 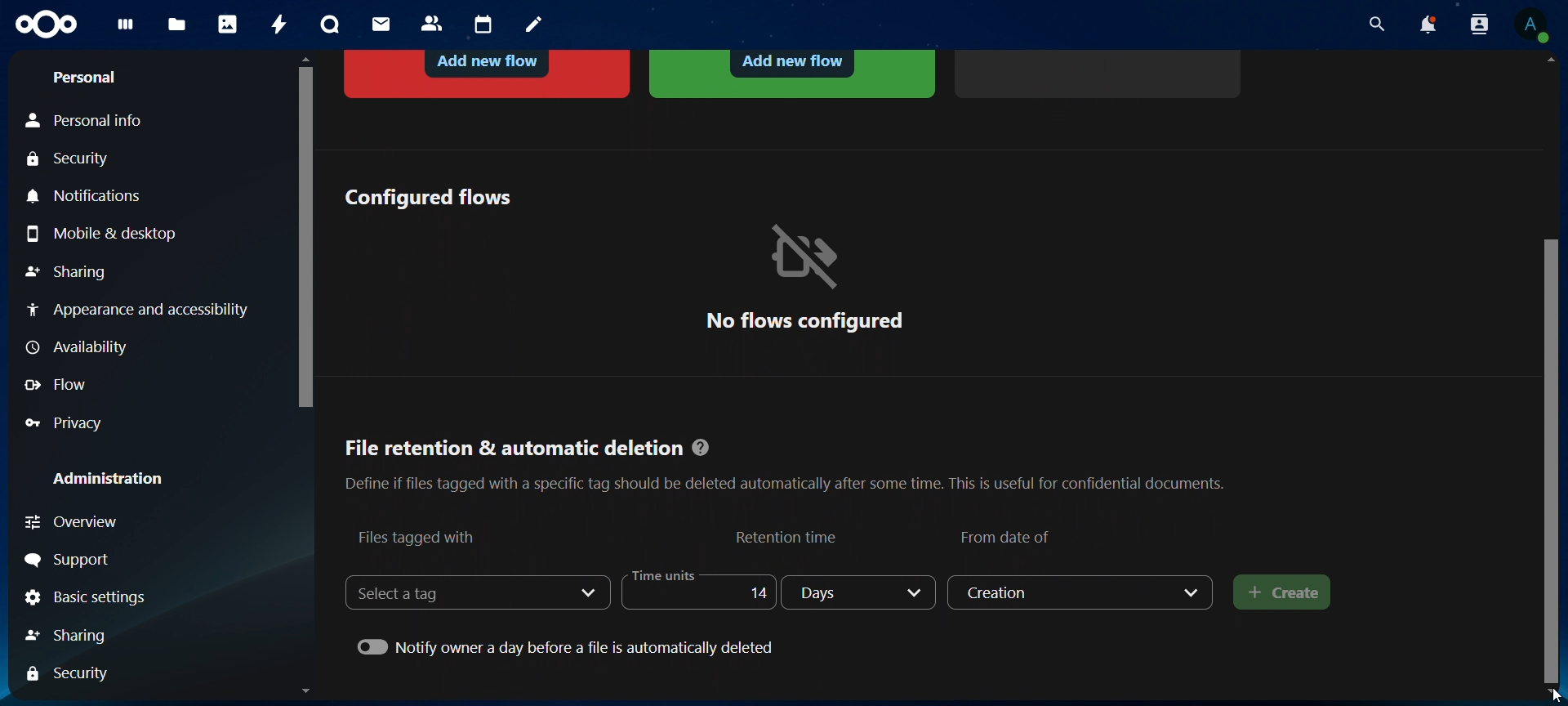 What do you see at coordinates (95, 121) in the screenshot?
I see `personal info` at bounding box center [95, 121].